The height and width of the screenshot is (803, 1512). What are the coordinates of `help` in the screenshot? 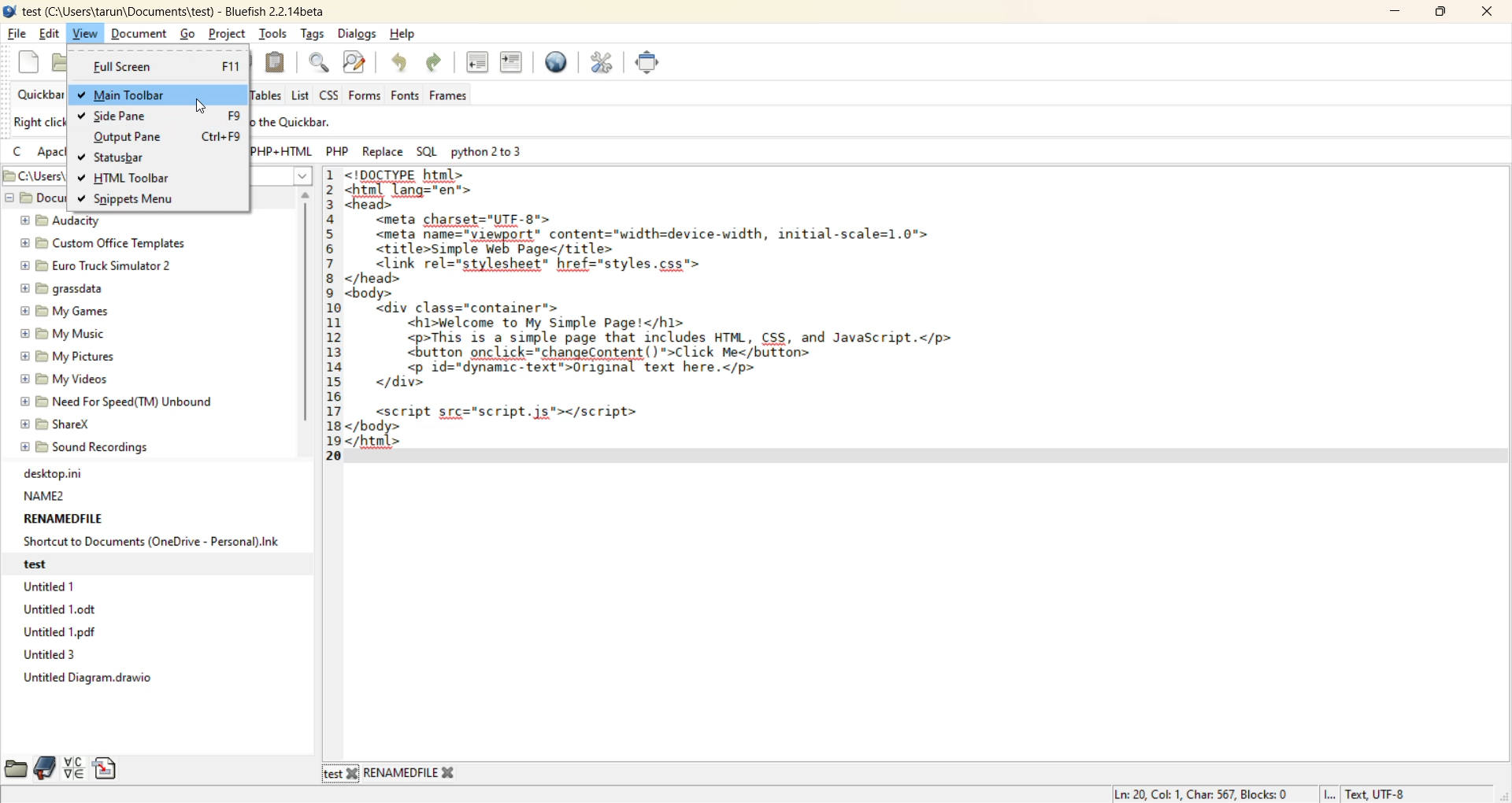 It's located at (406, 35).